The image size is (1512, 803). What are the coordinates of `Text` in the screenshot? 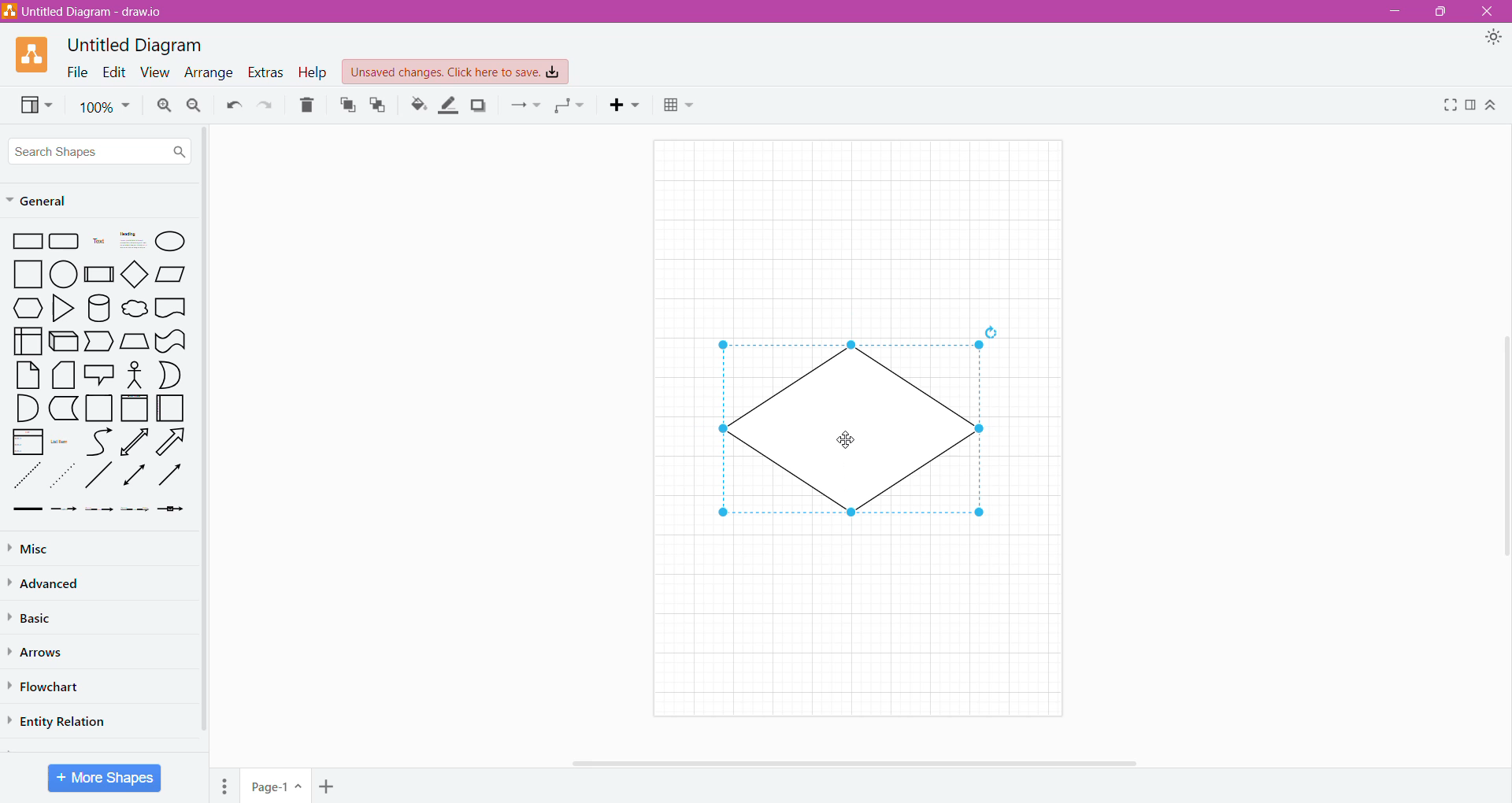 It's located at (98, 242).